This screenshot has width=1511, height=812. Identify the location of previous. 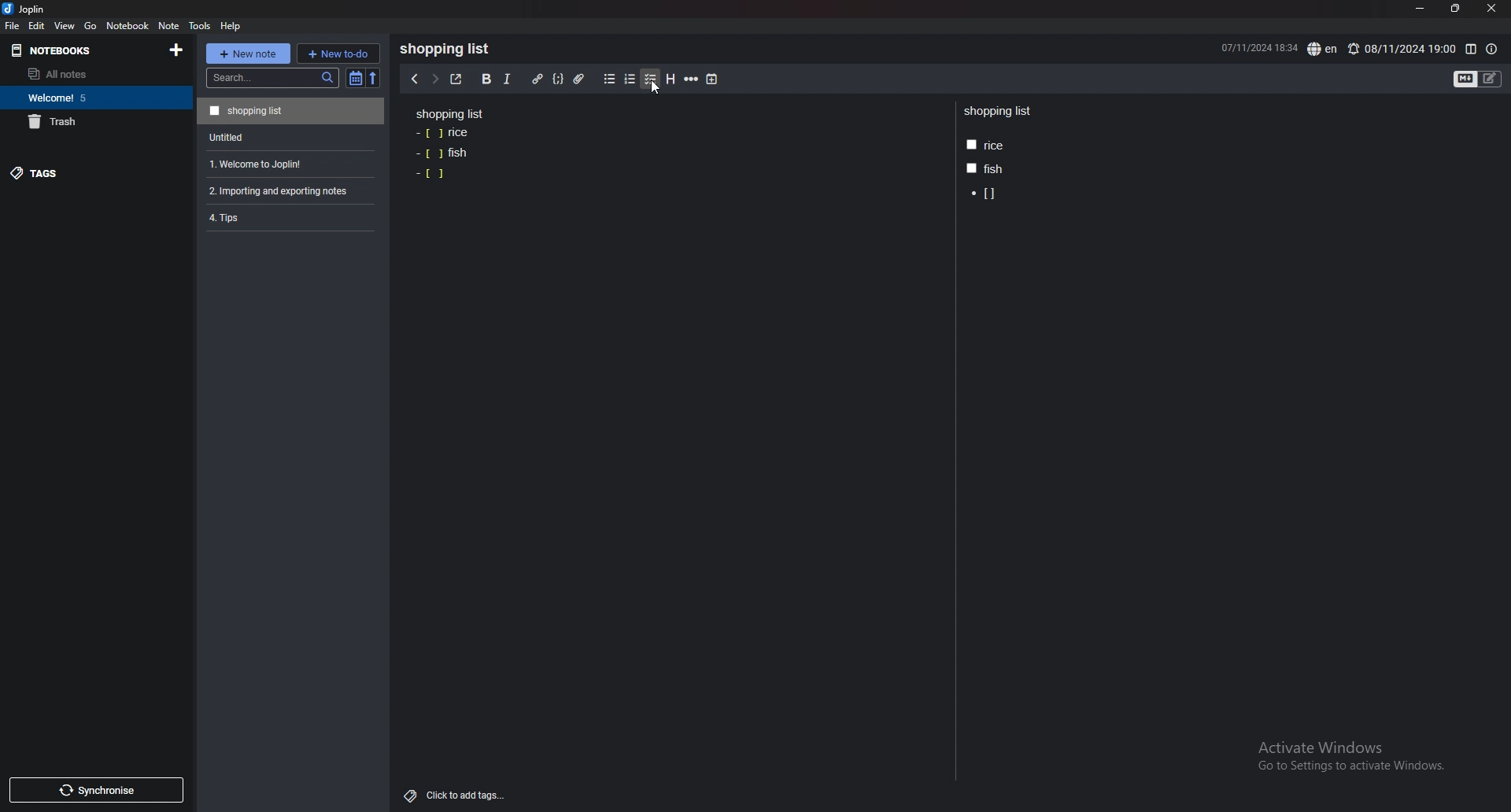
(413, 79).